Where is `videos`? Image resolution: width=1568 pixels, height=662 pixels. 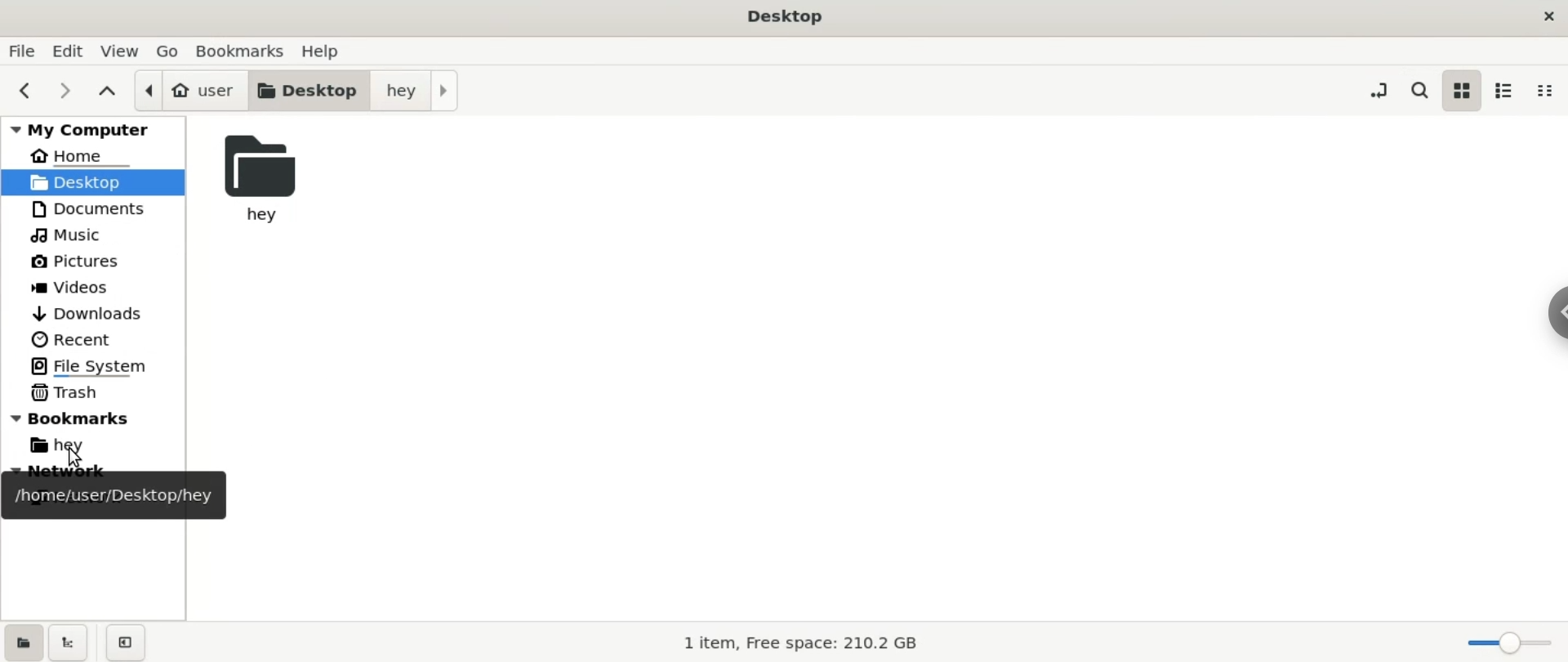 videos is located at coordinates (76, 286).